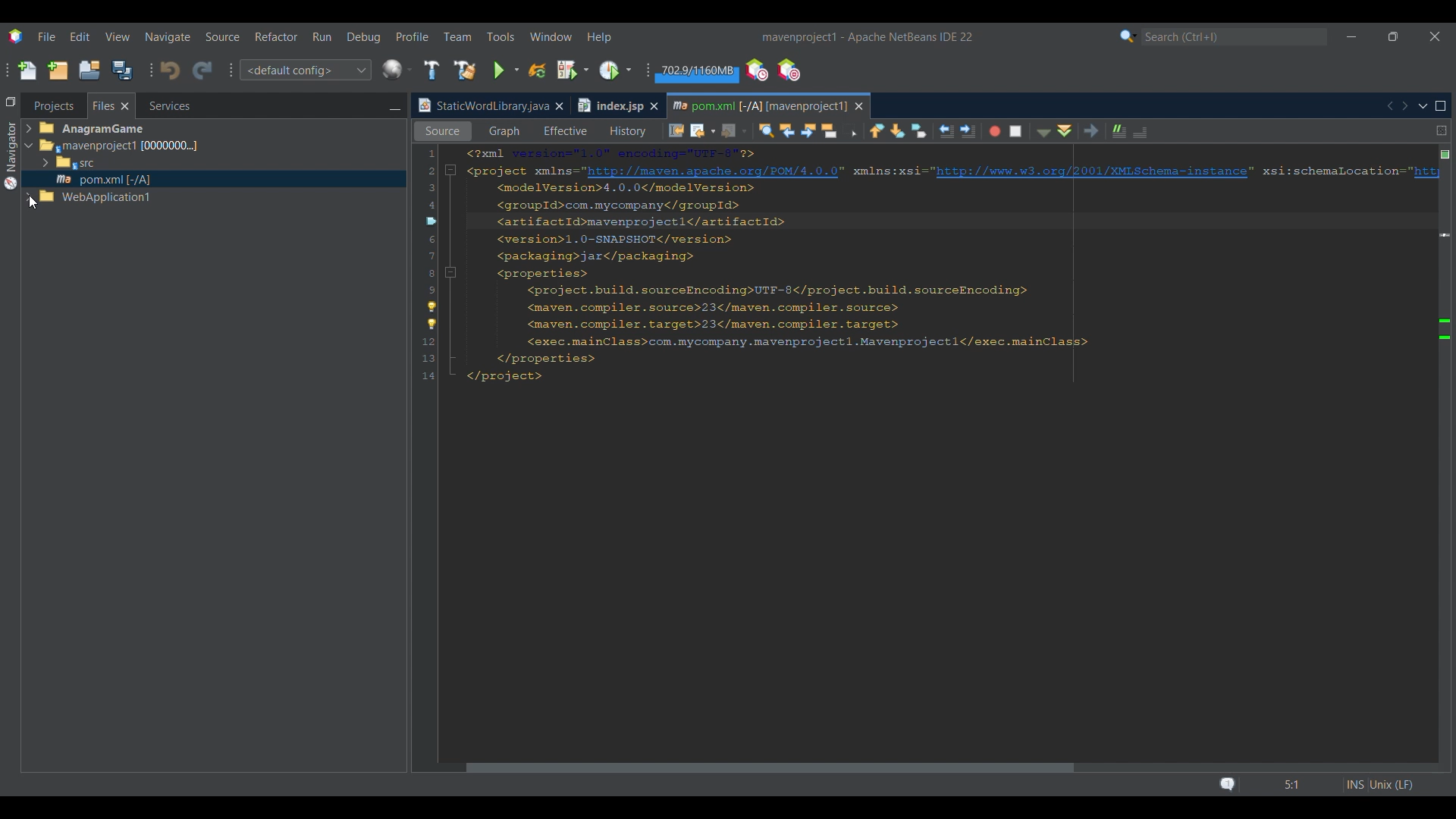  I want to click on Maximize, so click(1441, 106).